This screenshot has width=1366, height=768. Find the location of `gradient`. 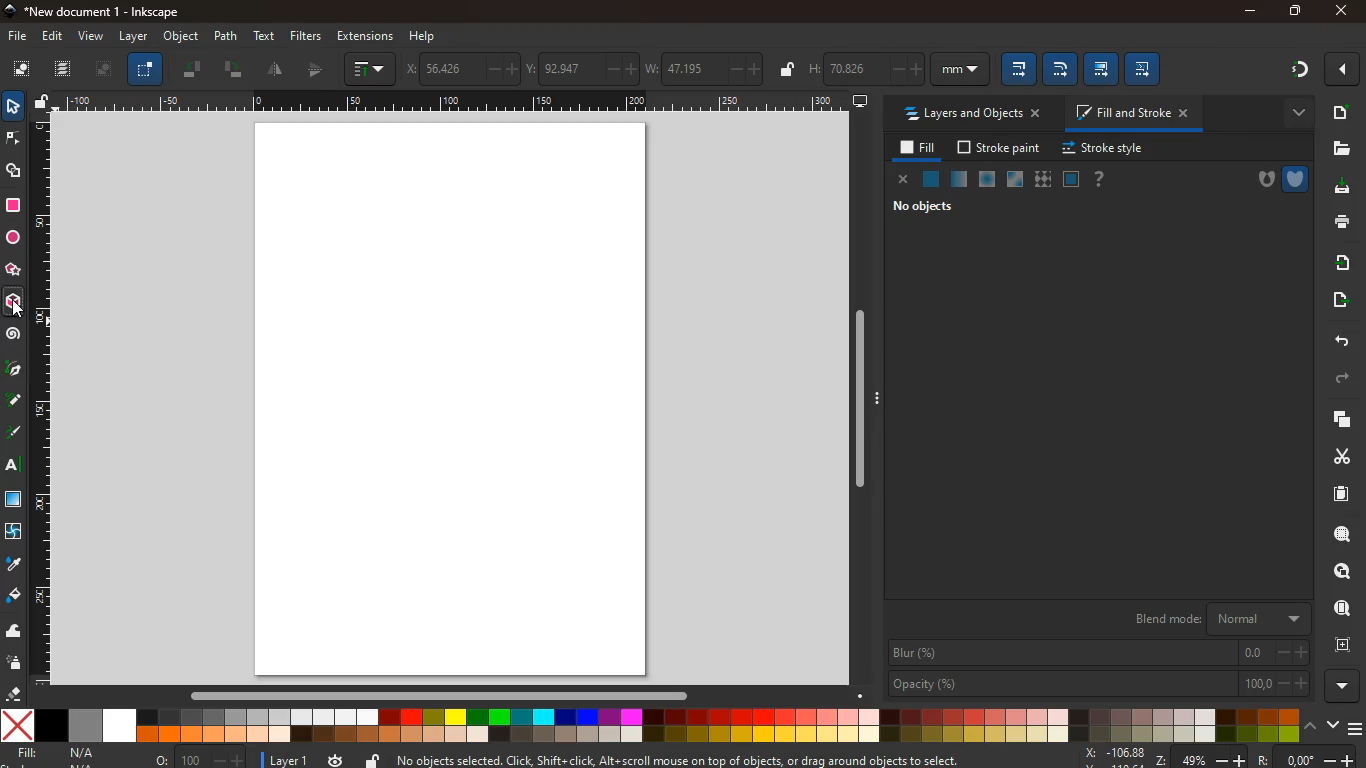

gradient is located at coordinates (1294, 71).